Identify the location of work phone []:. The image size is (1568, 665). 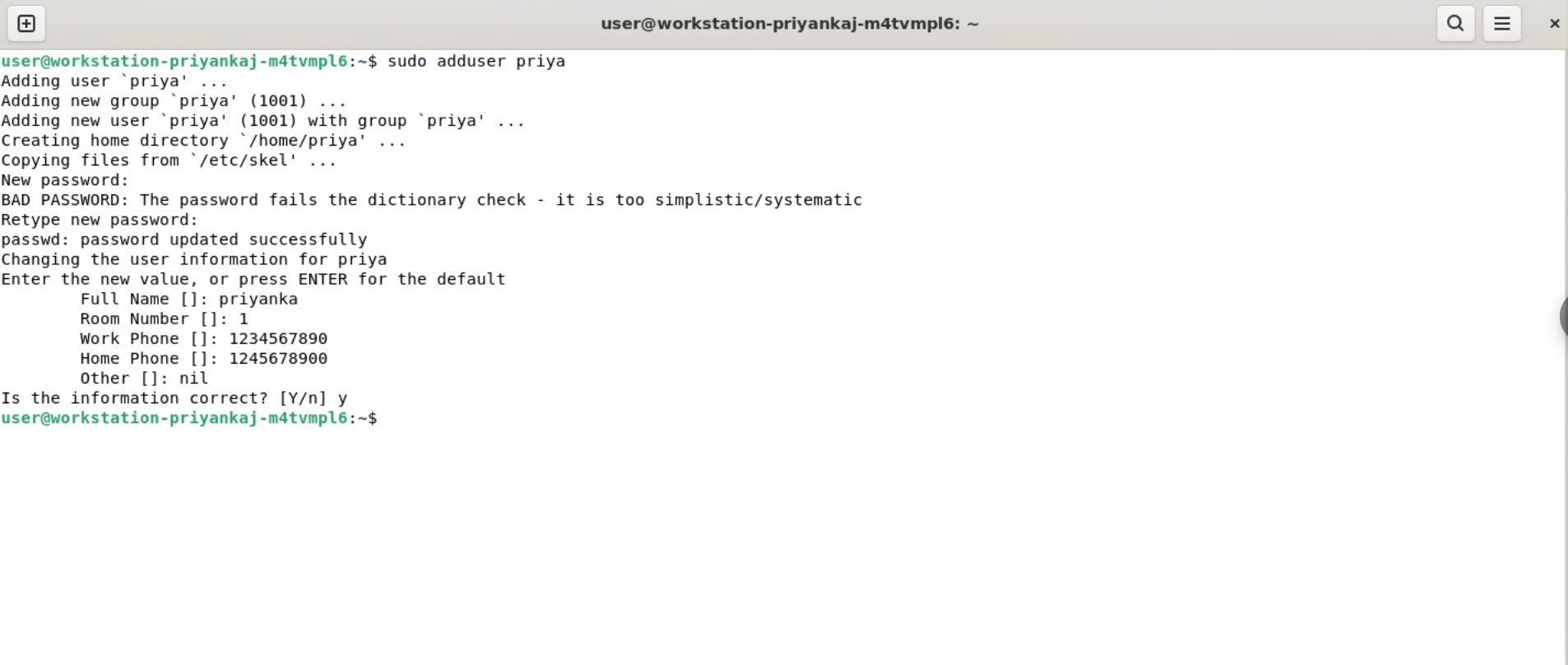
(141, 341).